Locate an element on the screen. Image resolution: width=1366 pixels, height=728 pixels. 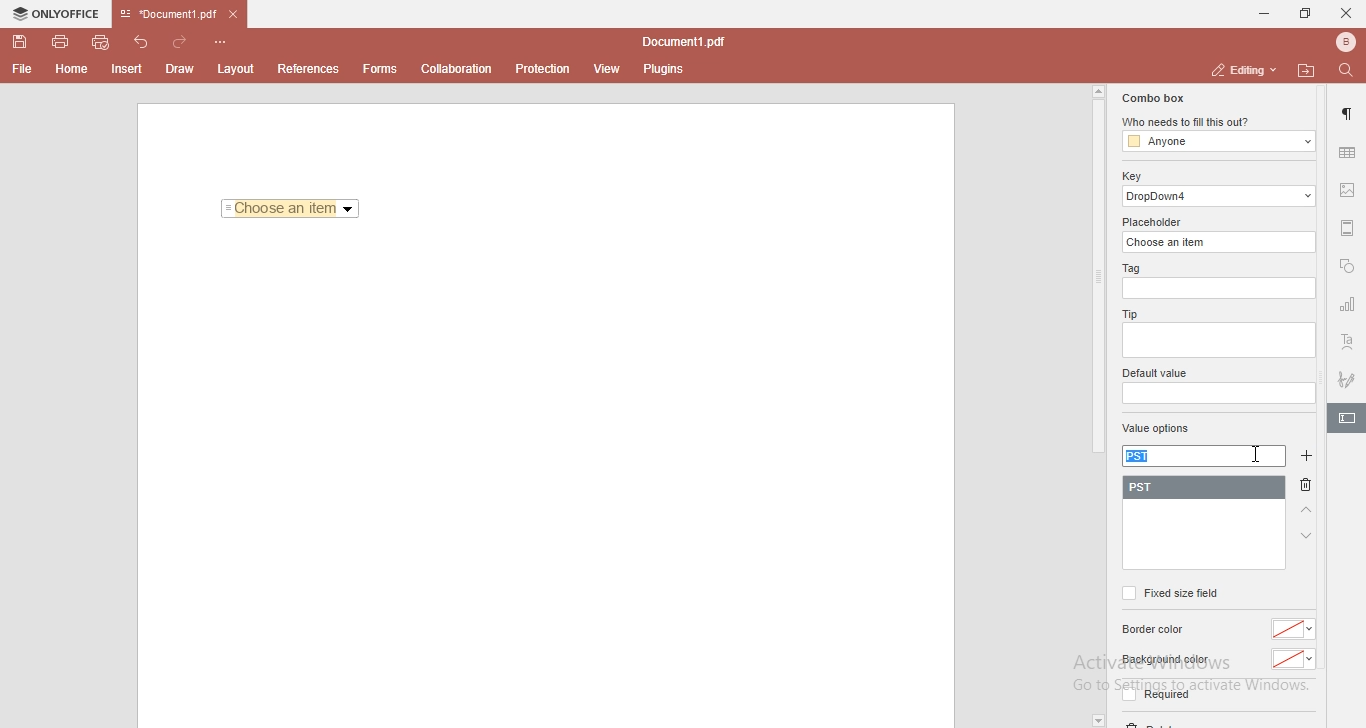
empty box is located at coordinates (1217, 342).